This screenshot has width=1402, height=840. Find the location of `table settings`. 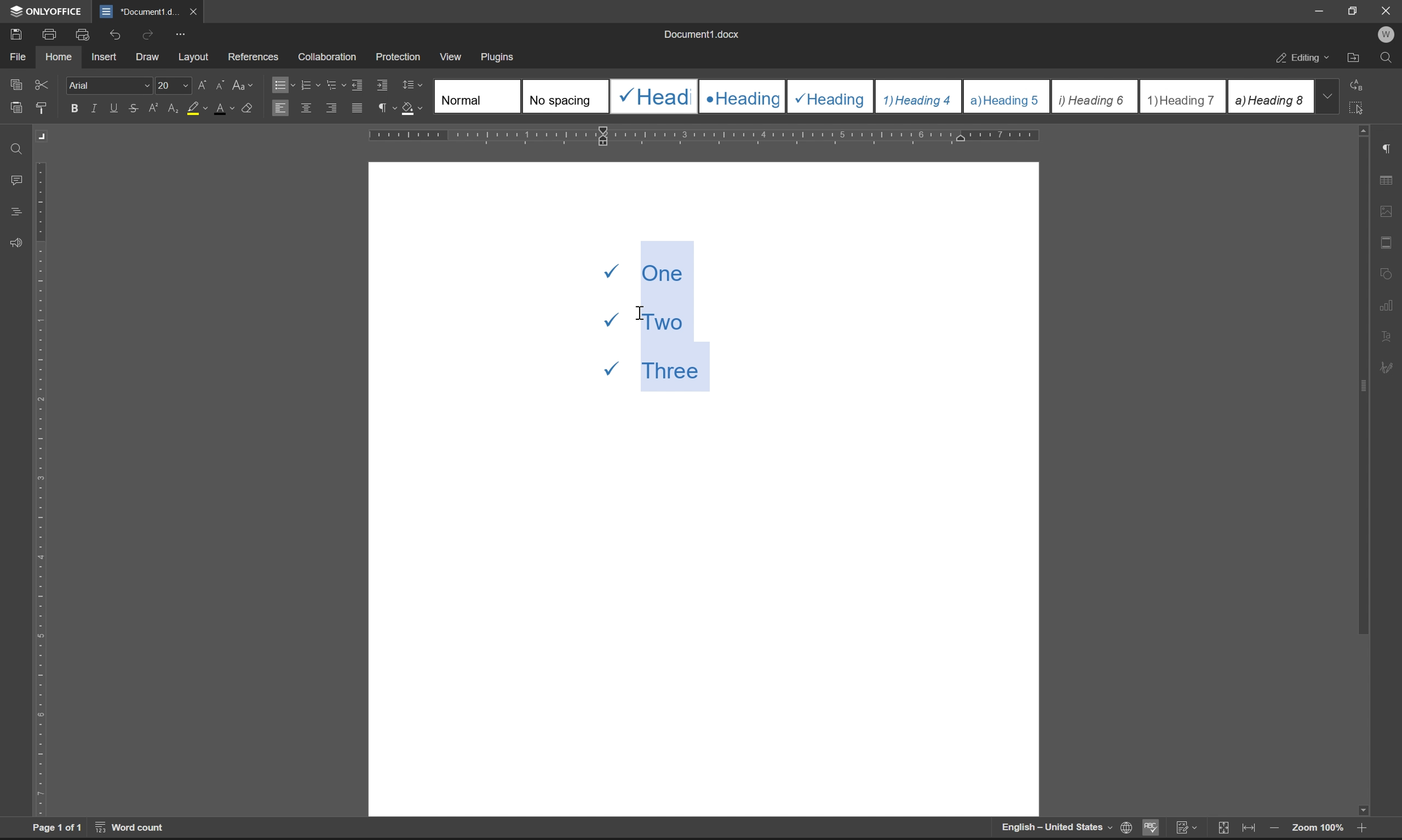

table settings is located at coordinates (1386, 181).